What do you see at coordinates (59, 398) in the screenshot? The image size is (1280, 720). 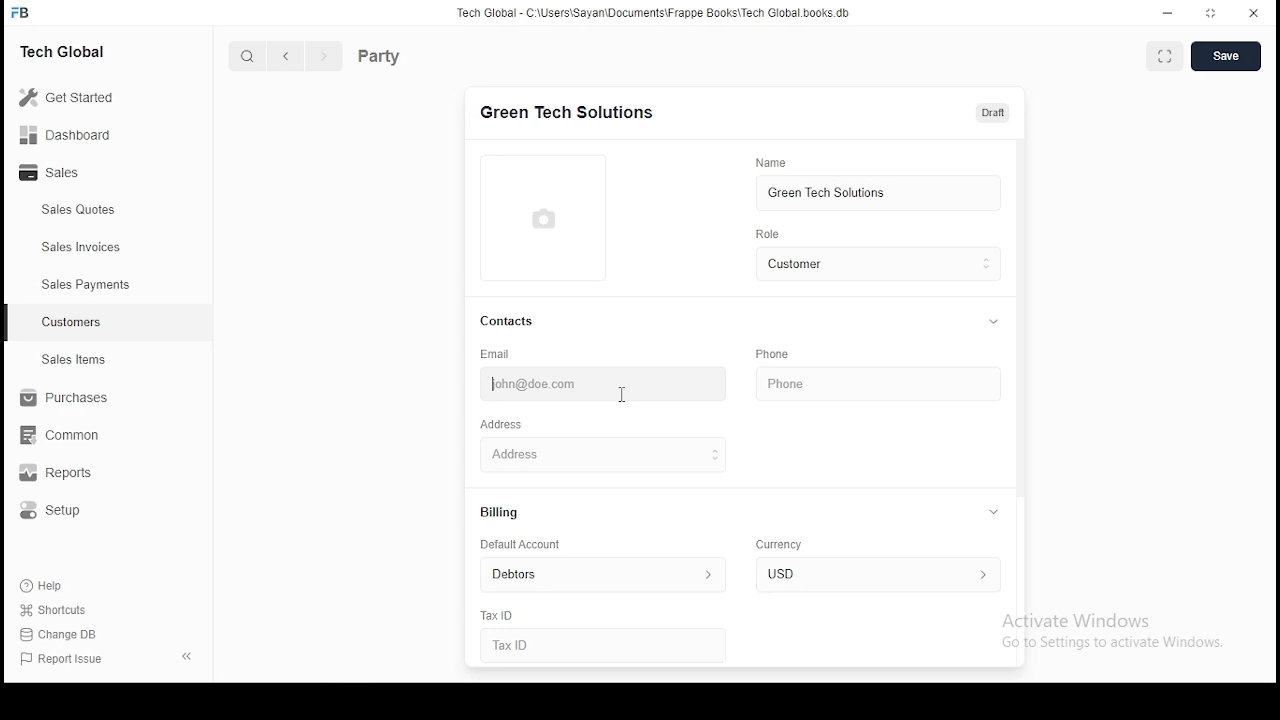 I see `purchase` at bounding box center [59, 398].